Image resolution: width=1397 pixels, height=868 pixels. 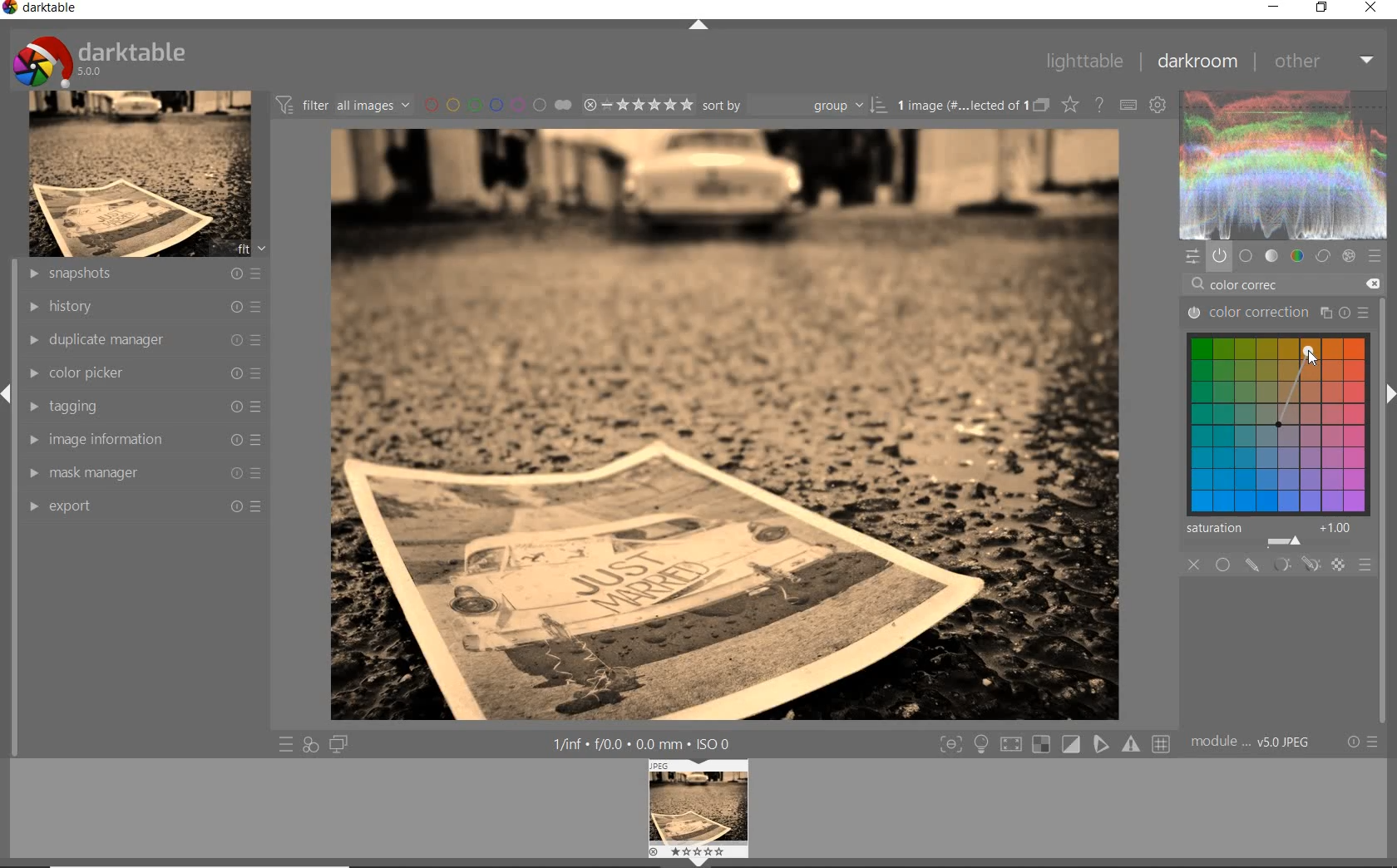 What do you see at coordinates (1386, 333) in the screenshot?
I see `scollbar` at bounding box center [1386, 333].